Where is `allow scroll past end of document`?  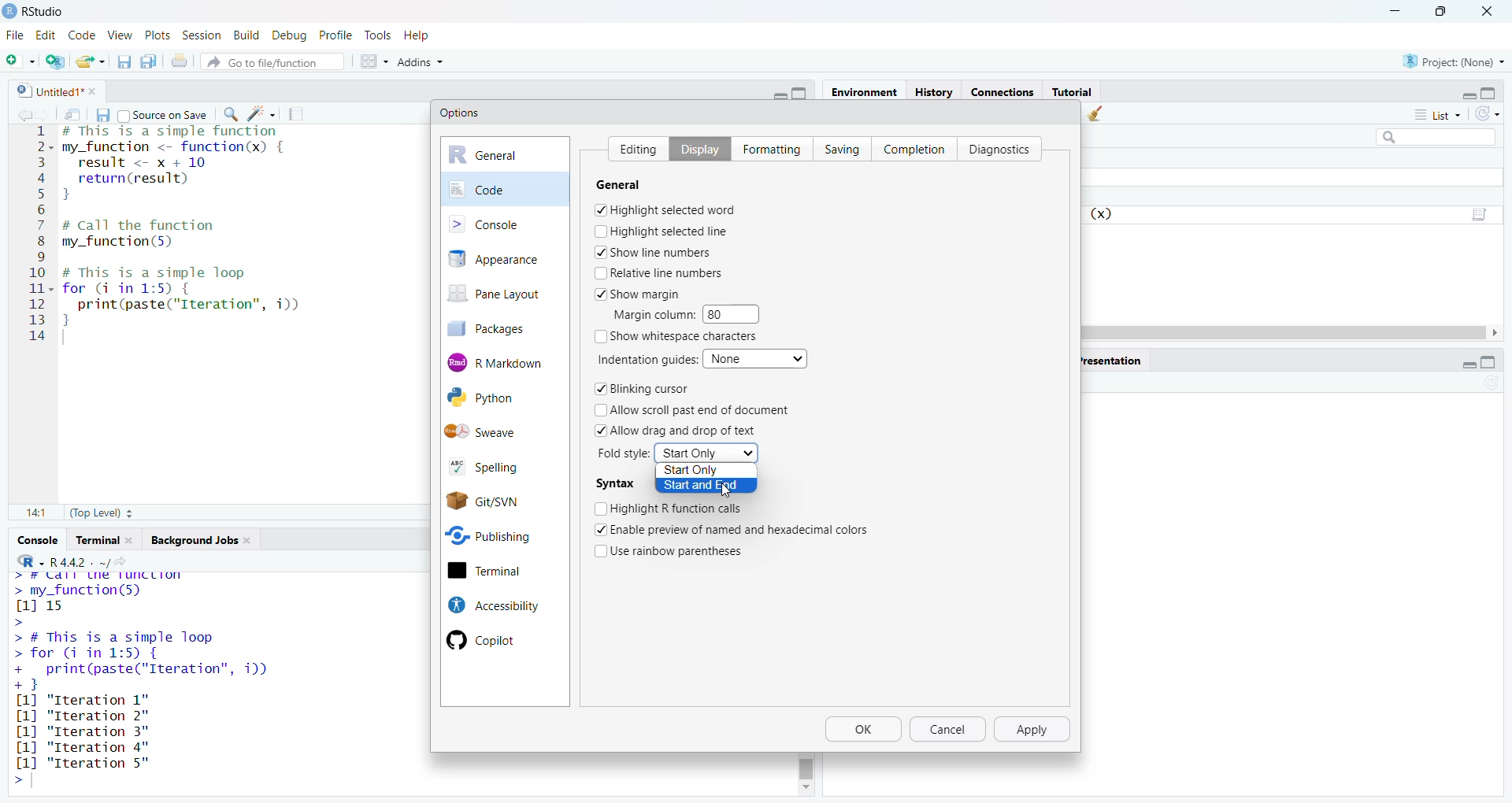
allow scroll past end of document is located at coordinates (701, 410).